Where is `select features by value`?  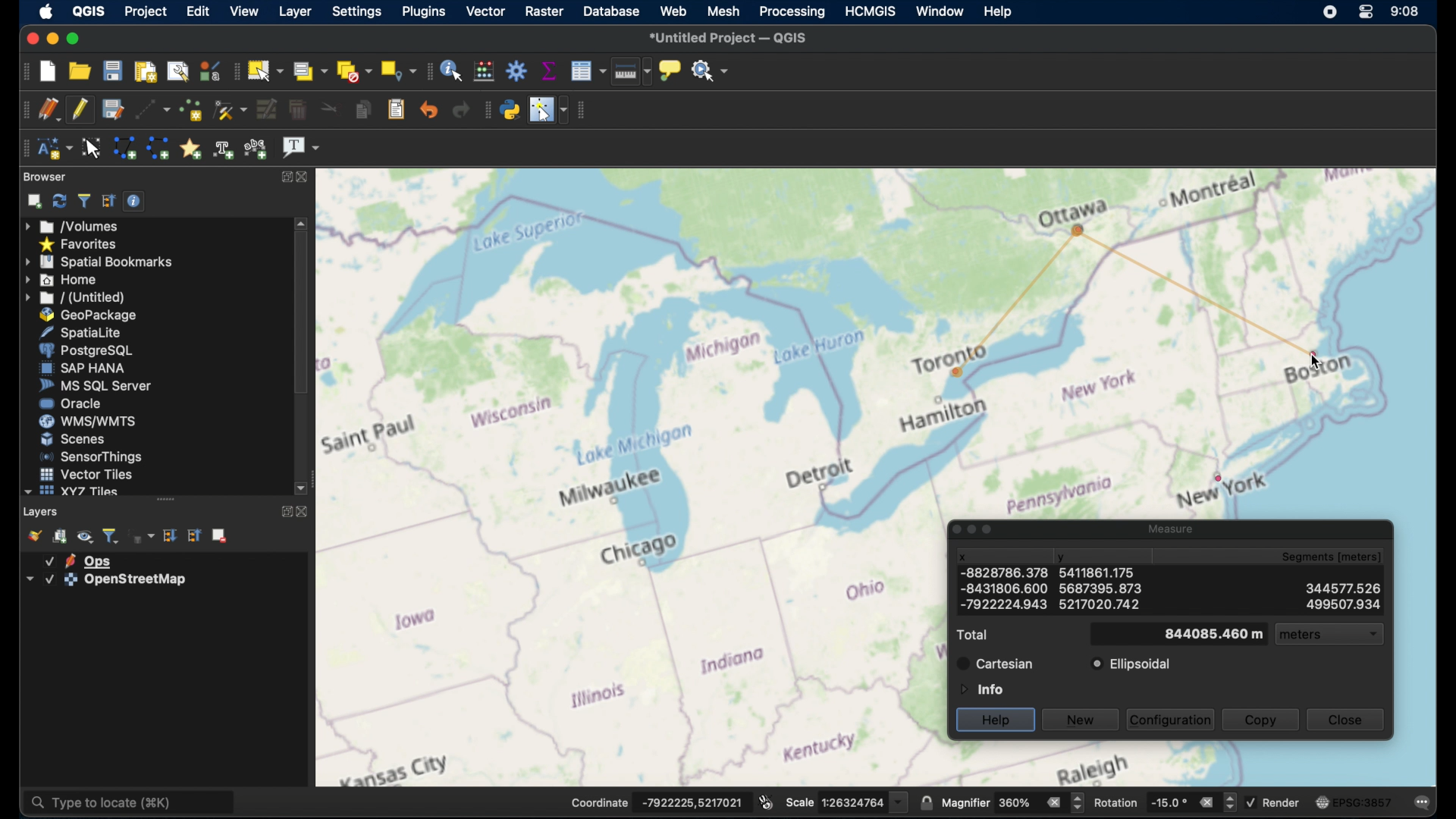
select features by value is located at coordinates (310, 71).